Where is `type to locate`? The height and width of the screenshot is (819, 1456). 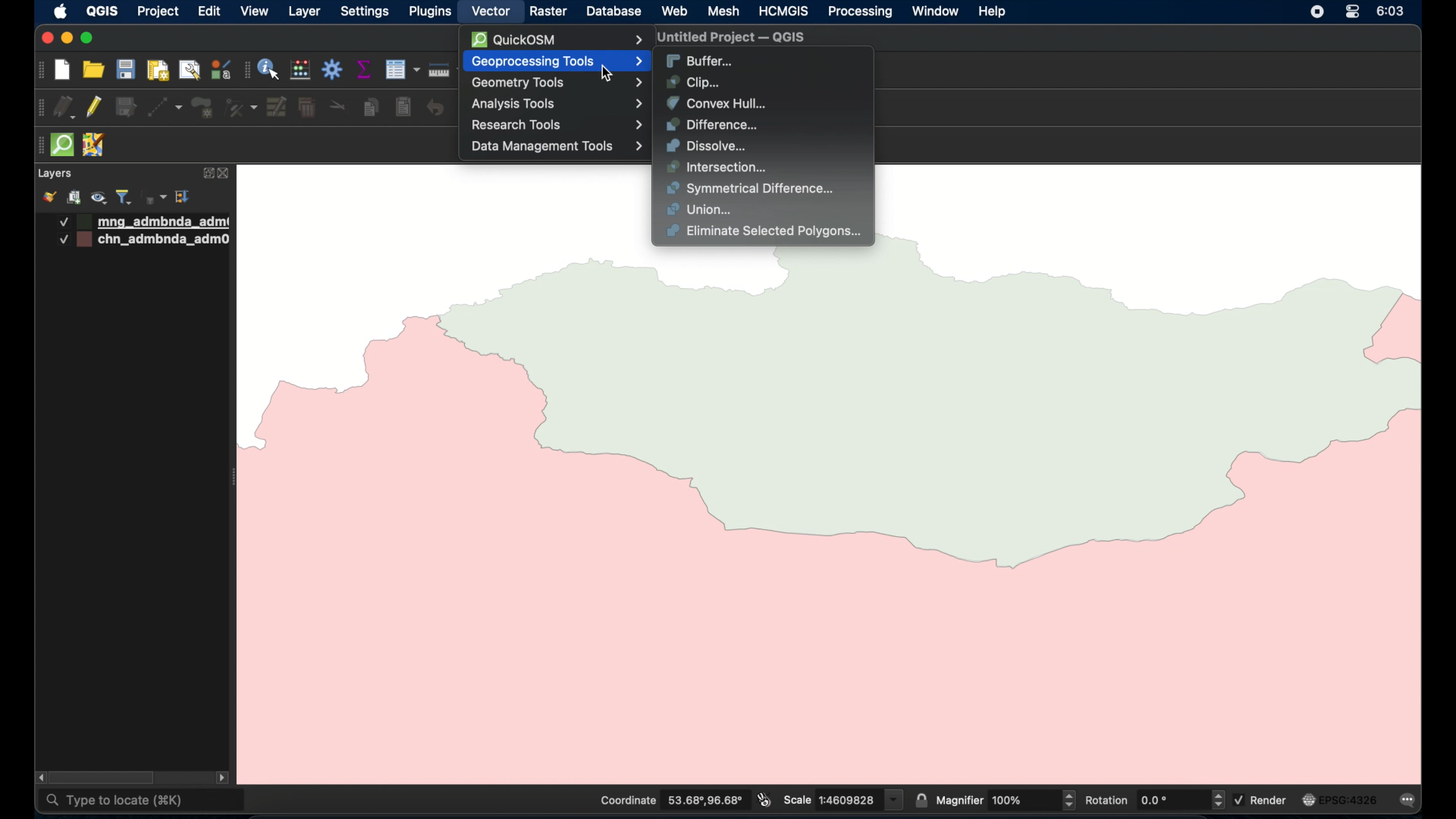
type to locate is located at coordinates (143, 802).